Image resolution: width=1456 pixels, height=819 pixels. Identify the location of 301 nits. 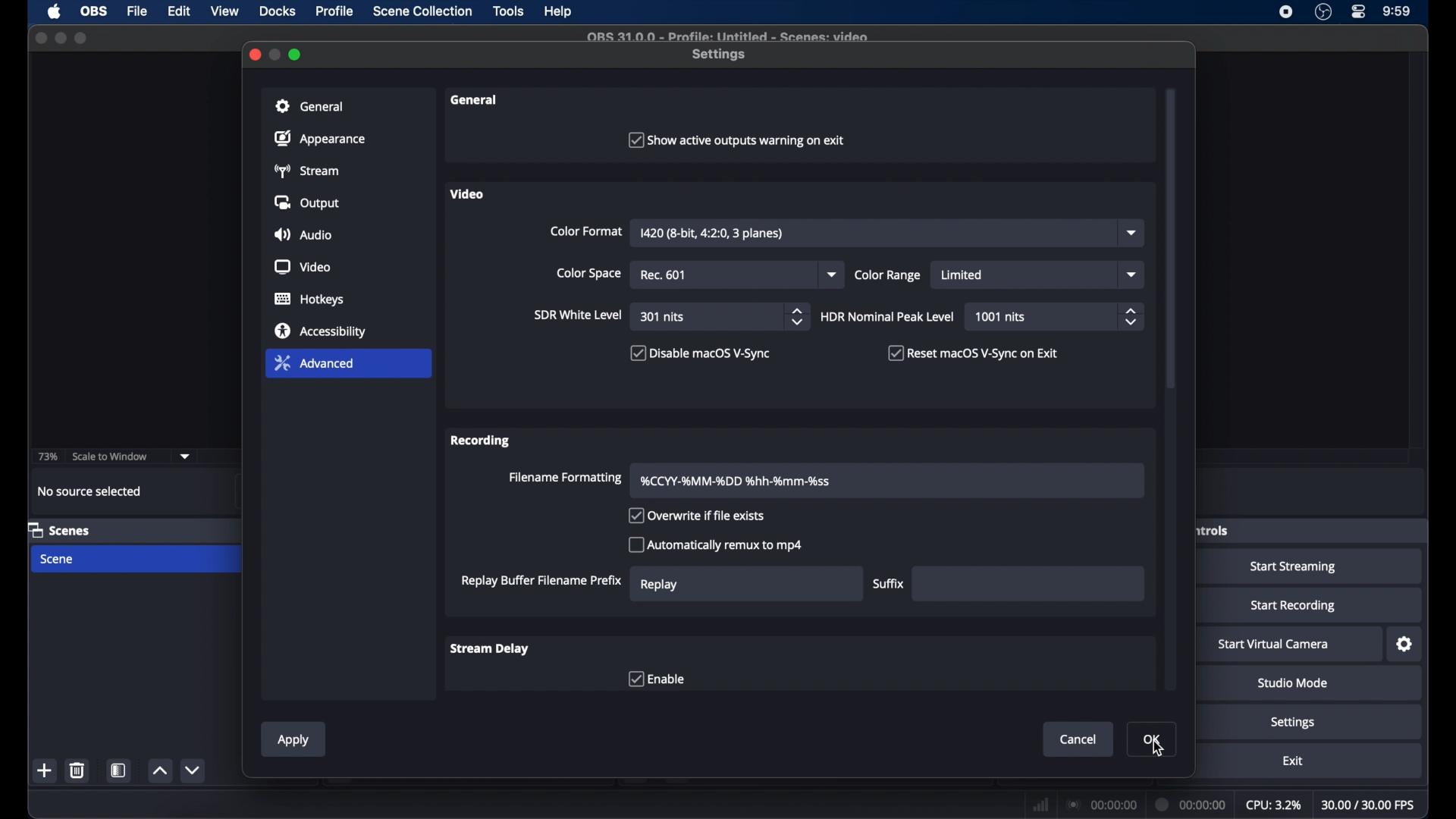
(664, 318).